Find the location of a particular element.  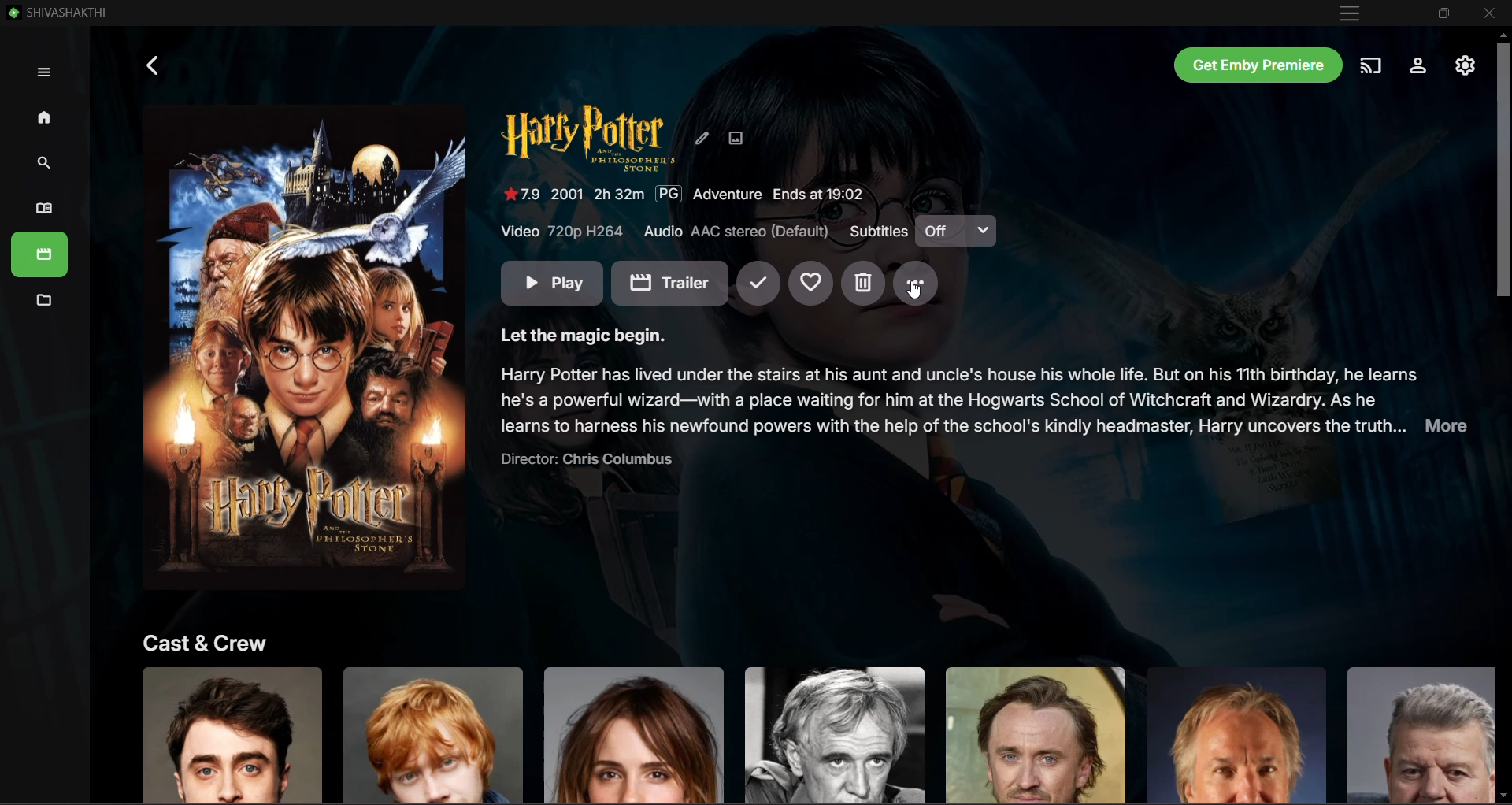

Restore Down is located at coordinates (1443, 13).